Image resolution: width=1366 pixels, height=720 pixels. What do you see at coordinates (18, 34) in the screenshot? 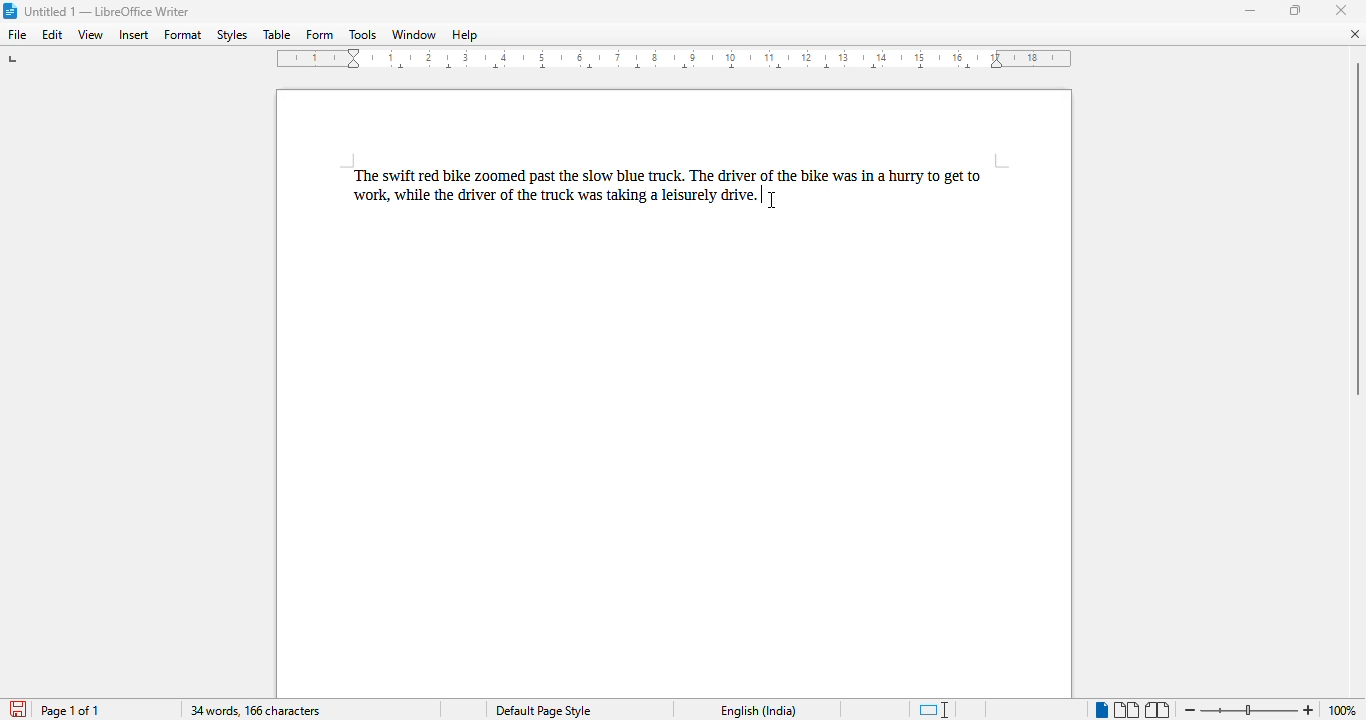
I see `file` at bounding box center [18, 34].